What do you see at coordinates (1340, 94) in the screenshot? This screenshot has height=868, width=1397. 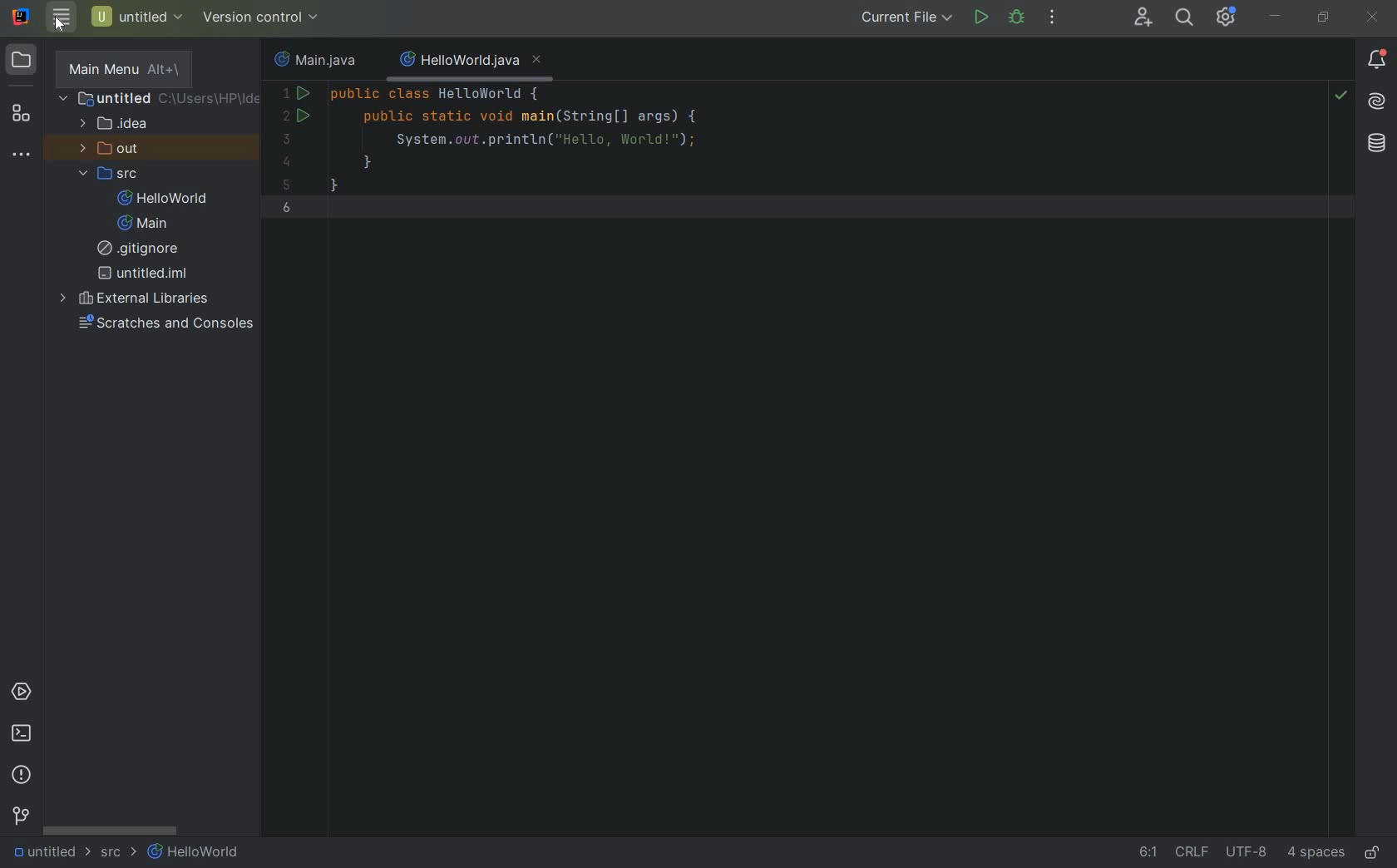 I see `no problem highlighted` at bounding box center [1340, 94].